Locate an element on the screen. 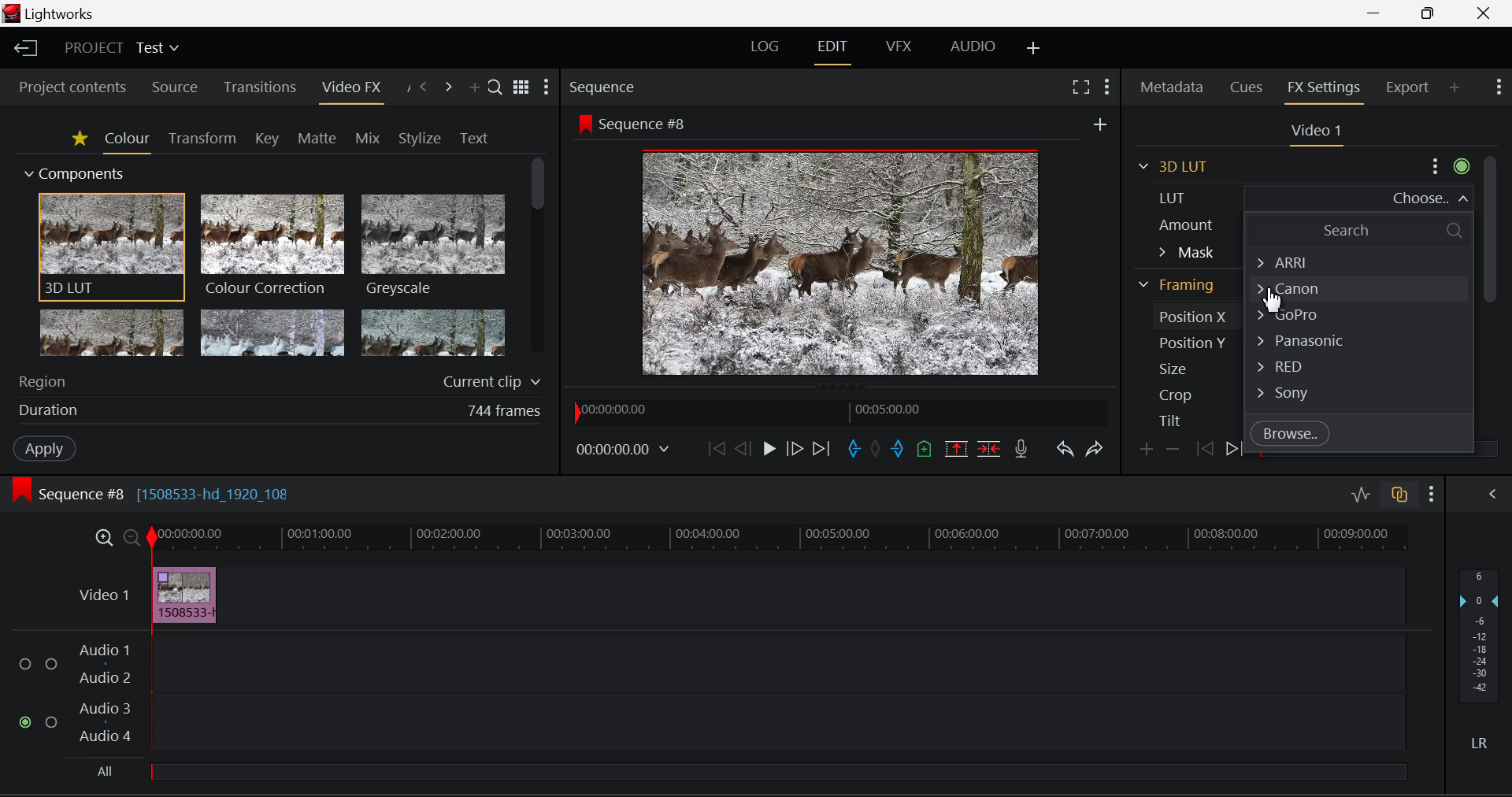 The width and height of the screenshot is (1512, 797). Audio Input Checkbox is located at coordinates (52, 720).